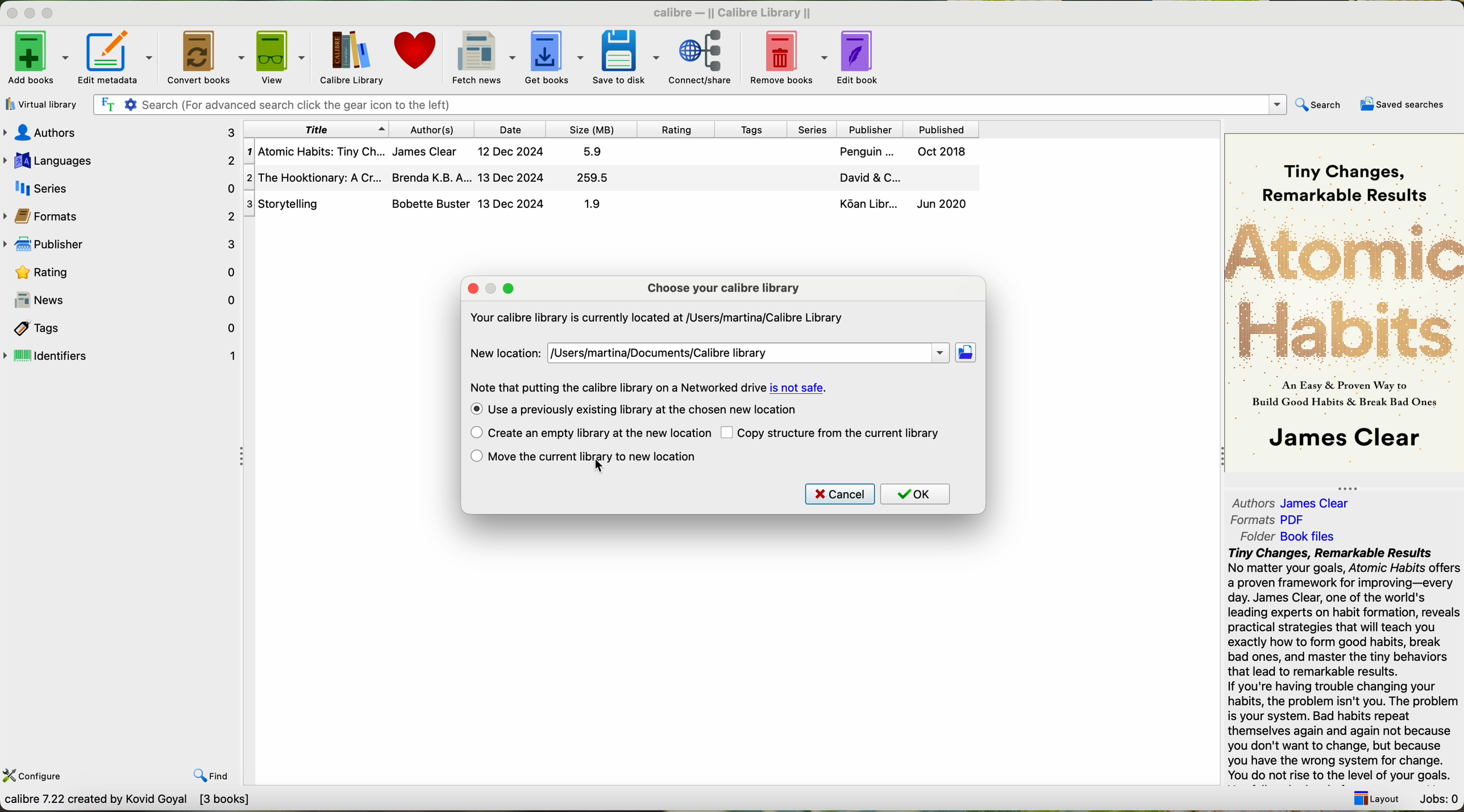 The height and width of the screenshot is (812, 1464). Describe the element at coordinates (1400, 105) in the screenshot. I see `saved searches` at that location.